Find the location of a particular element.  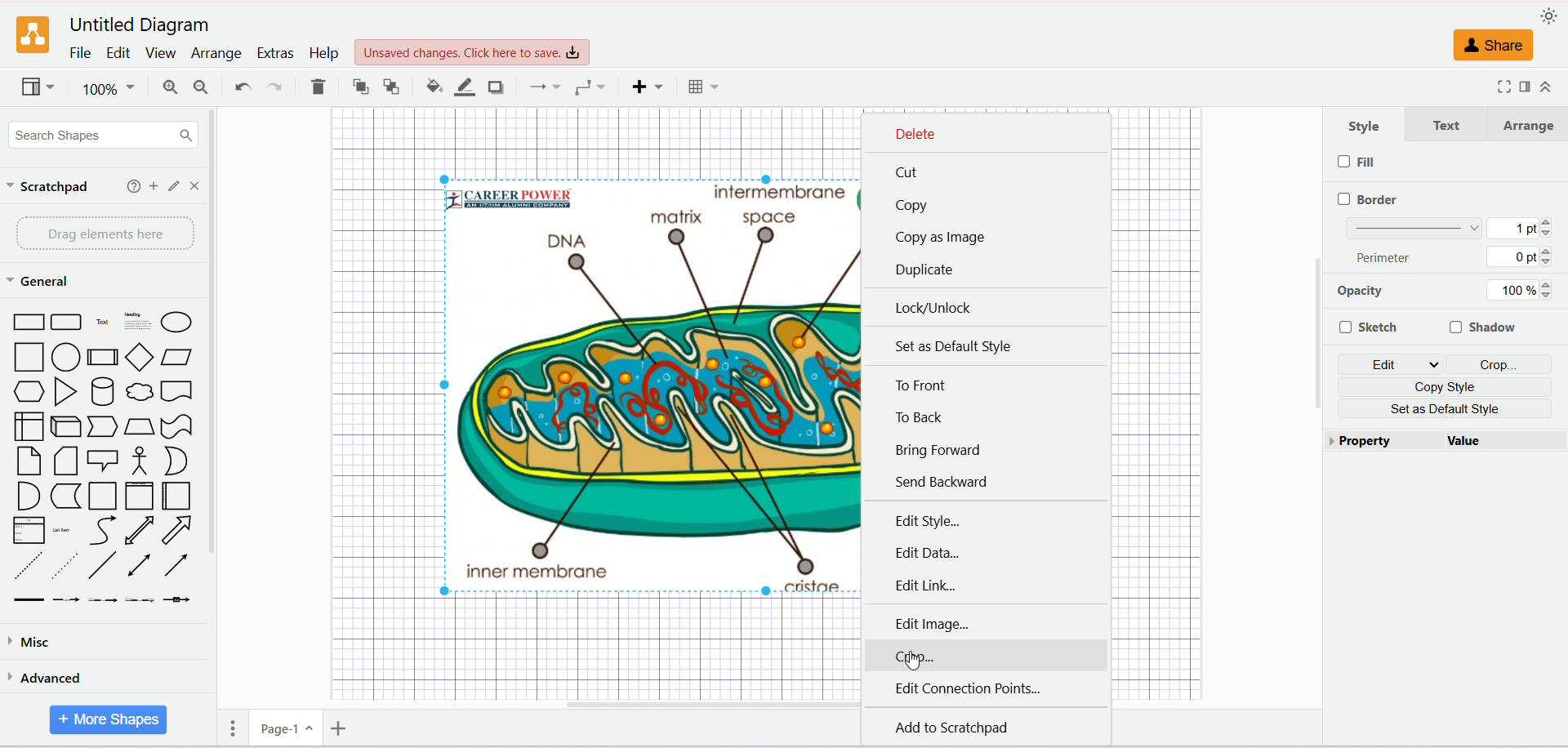

edit data is located at coordinates (929, 555).